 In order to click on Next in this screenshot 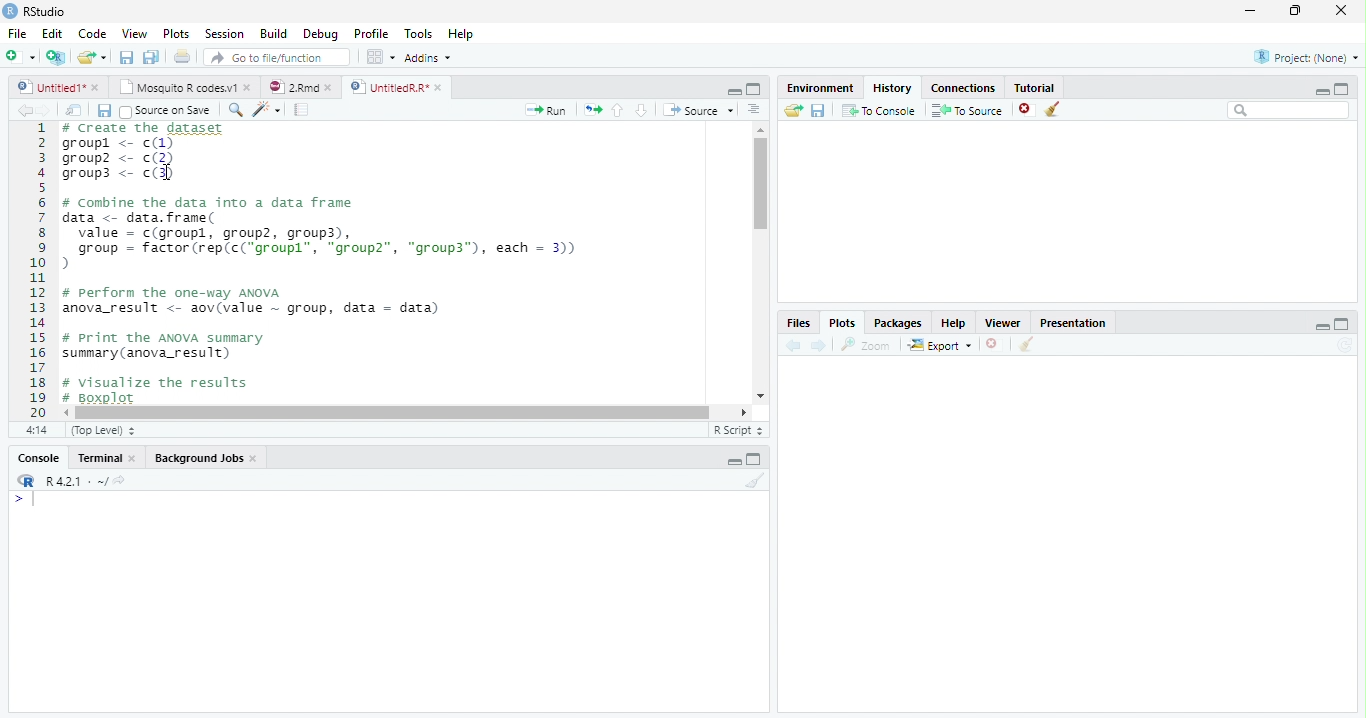, I will do `click(819, 346)`.